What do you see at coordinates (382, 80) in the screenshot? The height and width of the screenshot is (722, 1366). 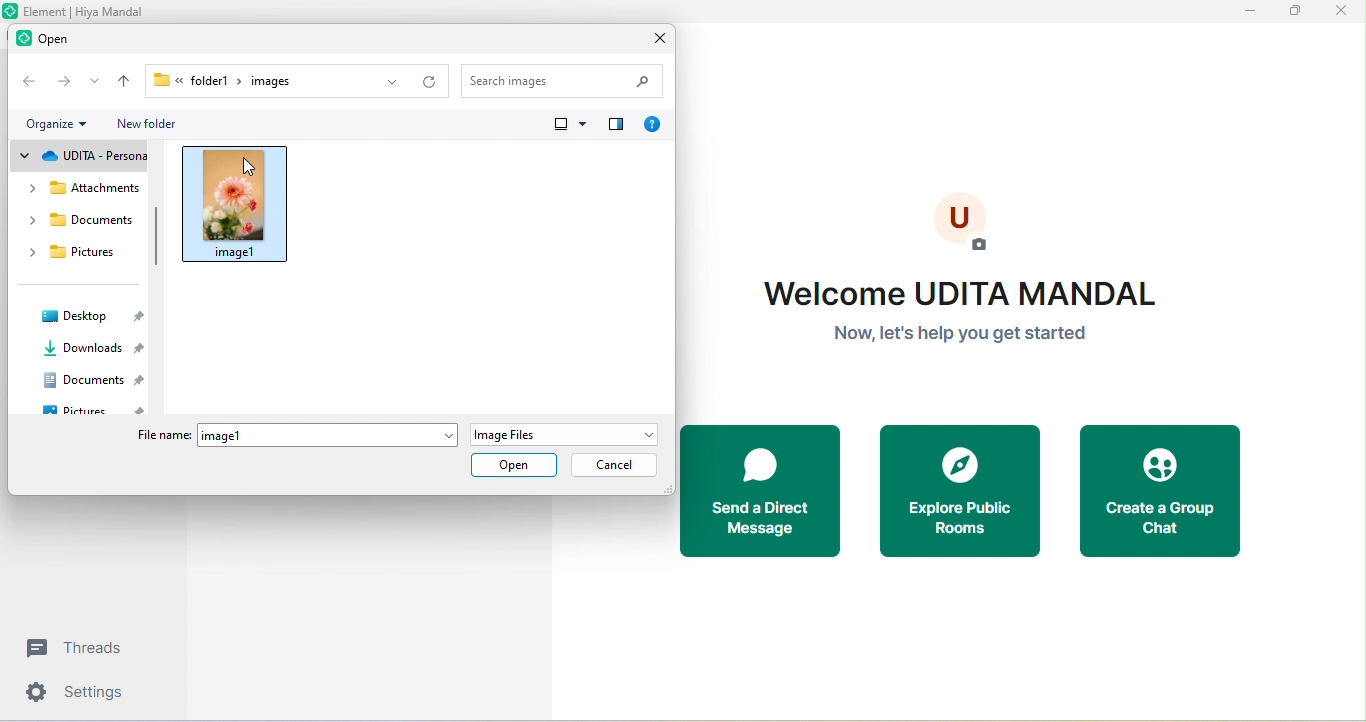 I see `previous location` at bounding box center [382, 80].